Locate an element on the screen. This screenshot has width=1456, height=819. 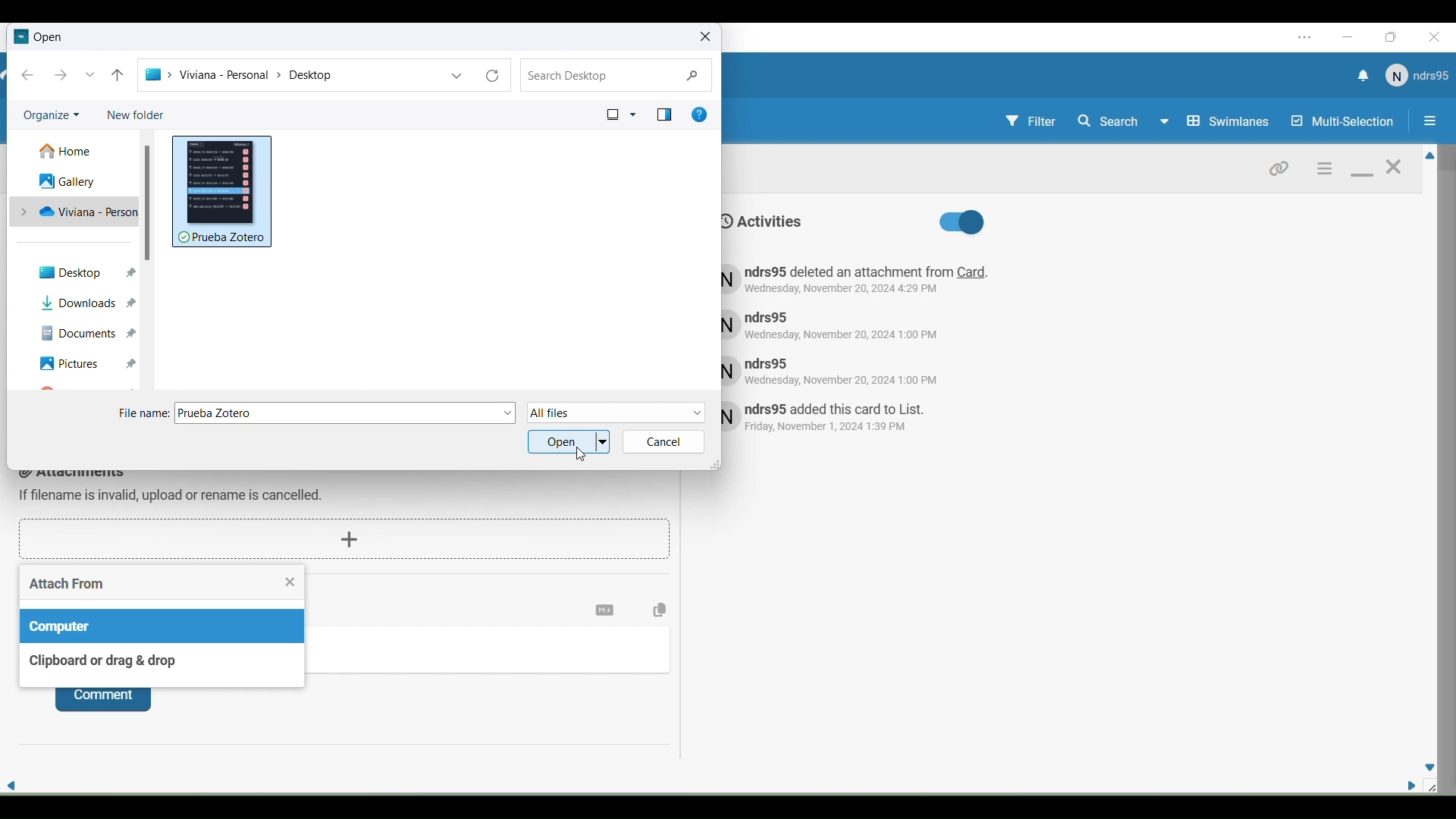
Vertical slide bar is located at coordinates (148, 203).